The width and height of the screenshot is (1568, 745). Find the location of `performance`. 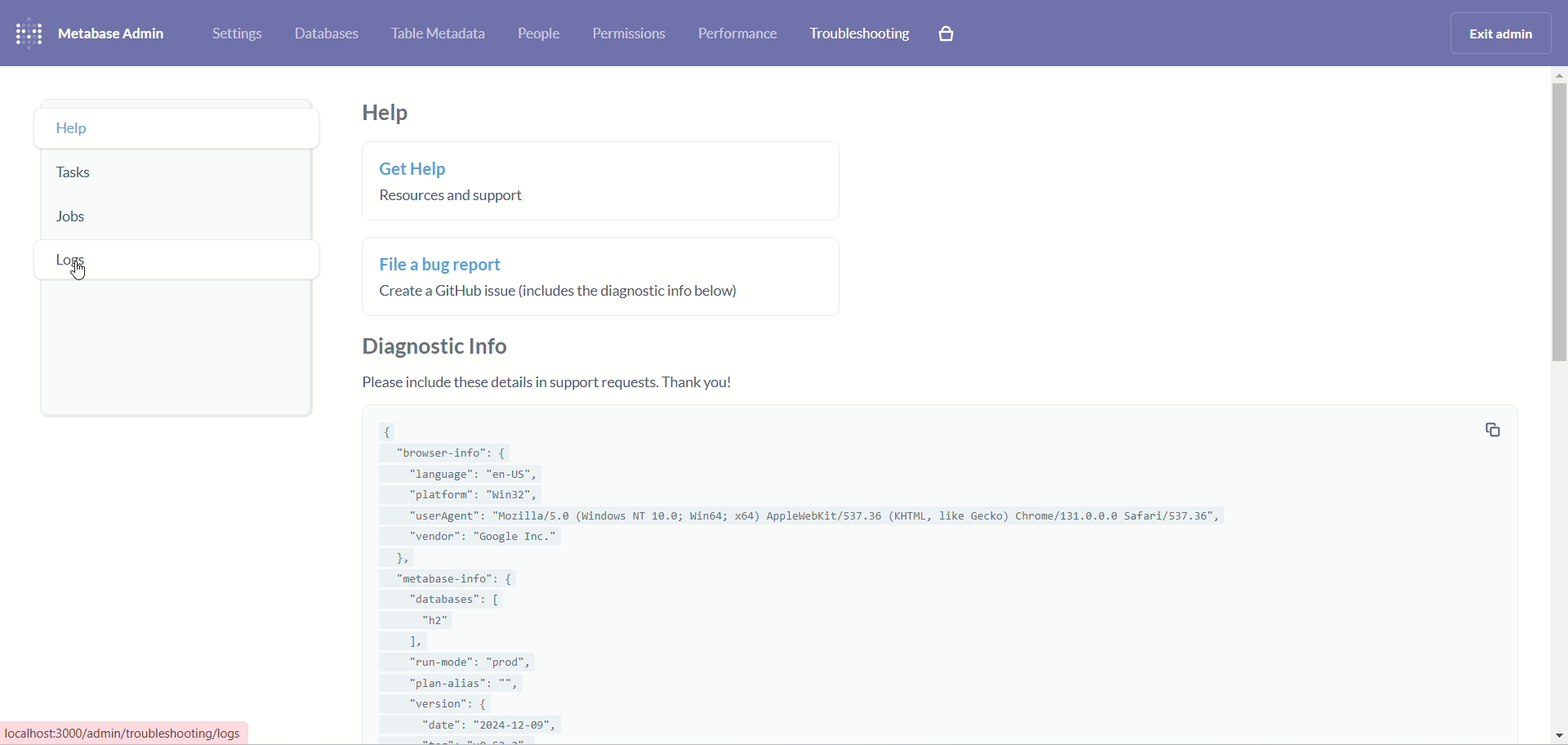

performance is located at coordinates (738, 36).